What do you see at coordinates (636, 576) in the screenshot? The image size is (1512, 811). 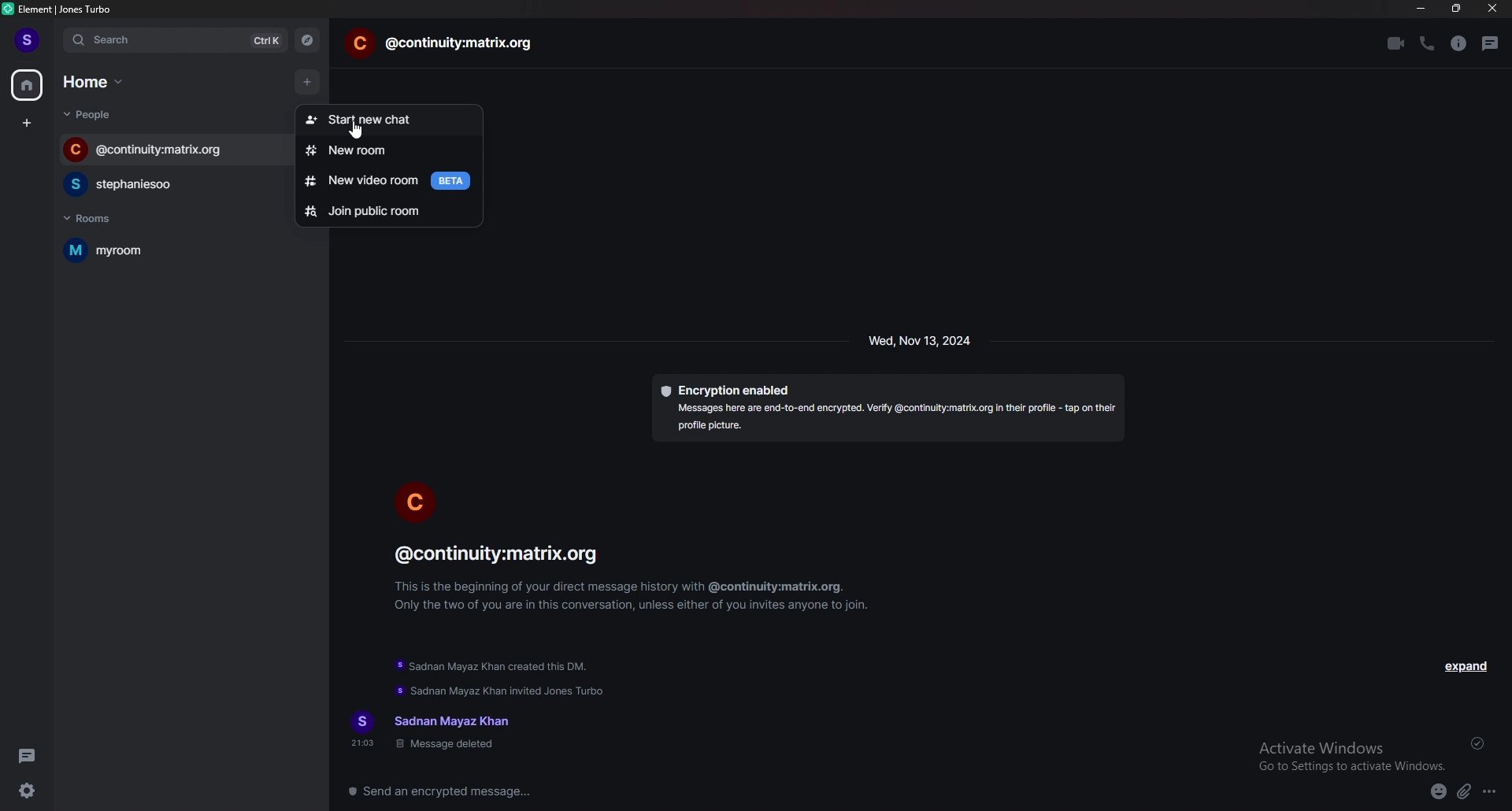 I see `info` at bounding box center [636, 576].